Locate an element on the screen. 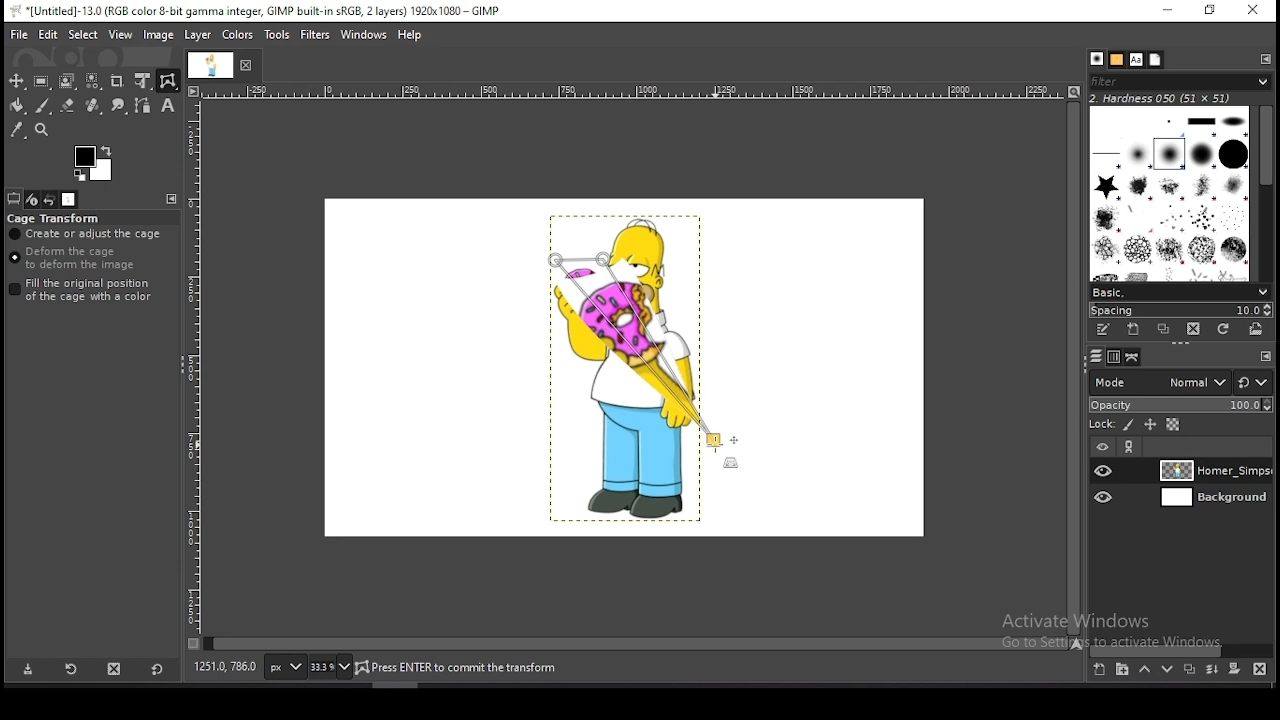 Image resolution: width=1280 pixels, height=720 pixels. *[untitled]-13.0 (rgb color 8-bit gamma integer, gimp built-in sRGB, 2 layers) 1920x1080 - gimp is located at coordinates (263, 11).